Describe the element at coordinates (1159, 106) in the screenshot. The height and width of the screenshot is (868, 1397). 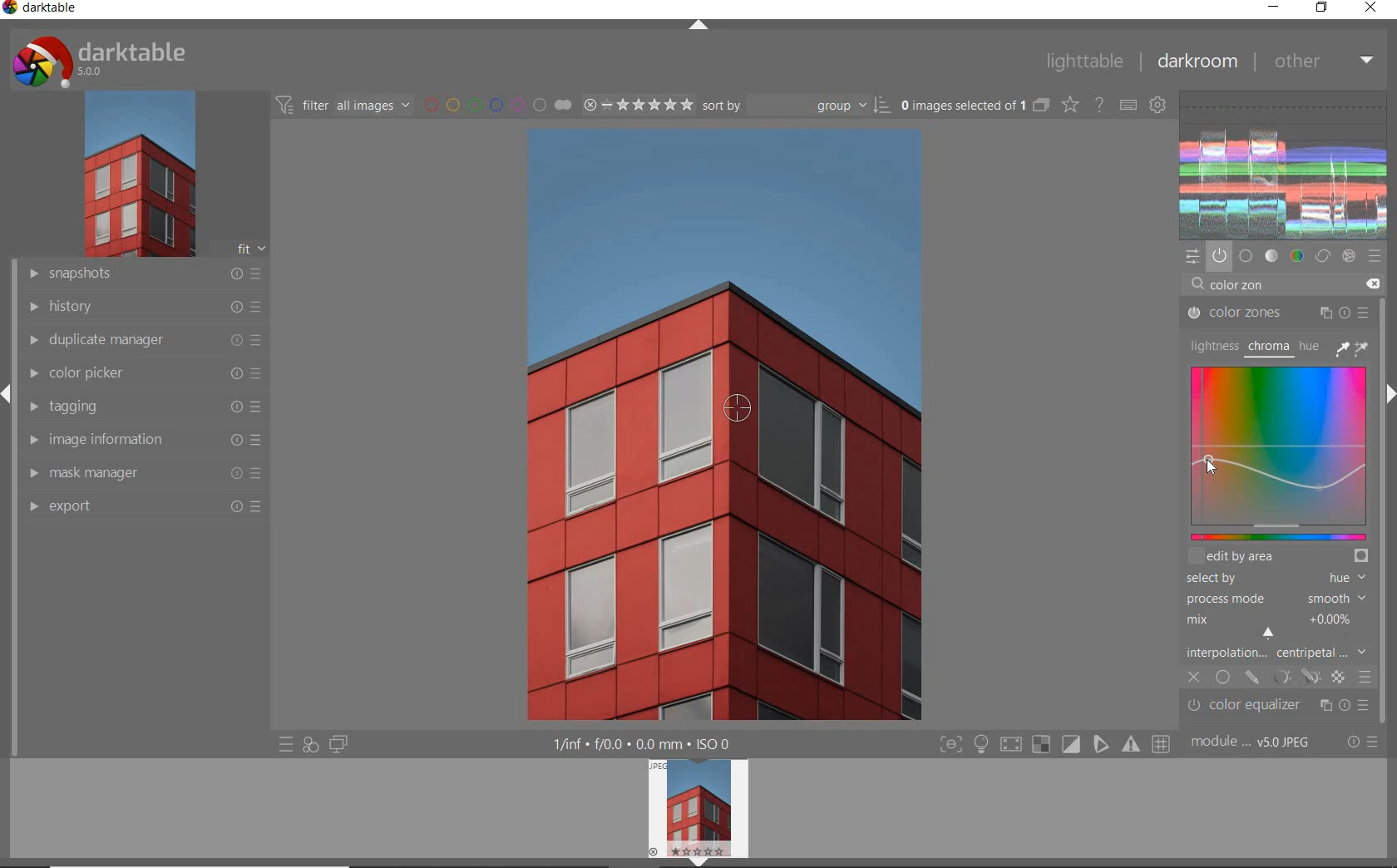
I see `show global preferences` at that location.